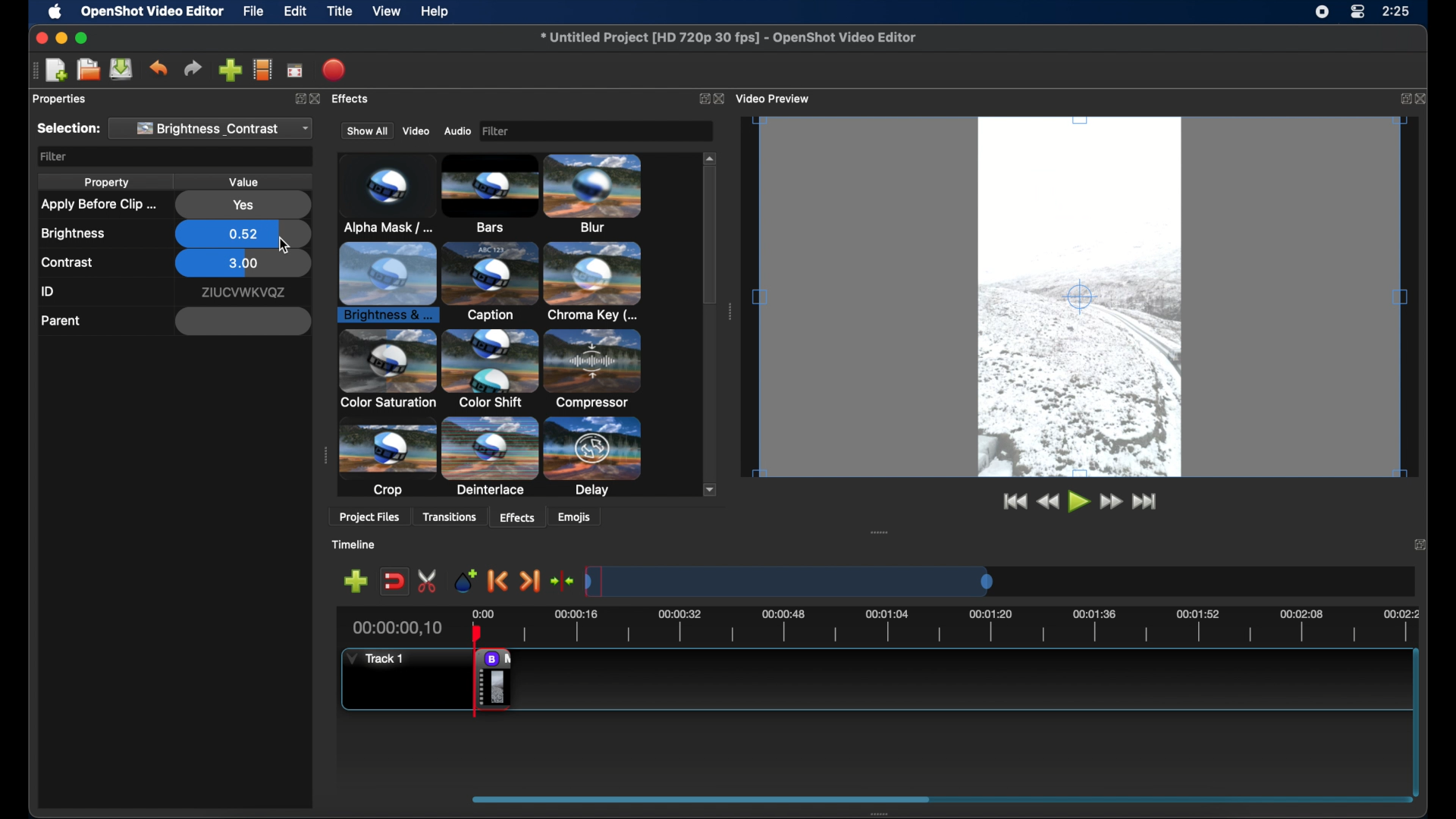  I want to click on play button, so click(1078, 503).